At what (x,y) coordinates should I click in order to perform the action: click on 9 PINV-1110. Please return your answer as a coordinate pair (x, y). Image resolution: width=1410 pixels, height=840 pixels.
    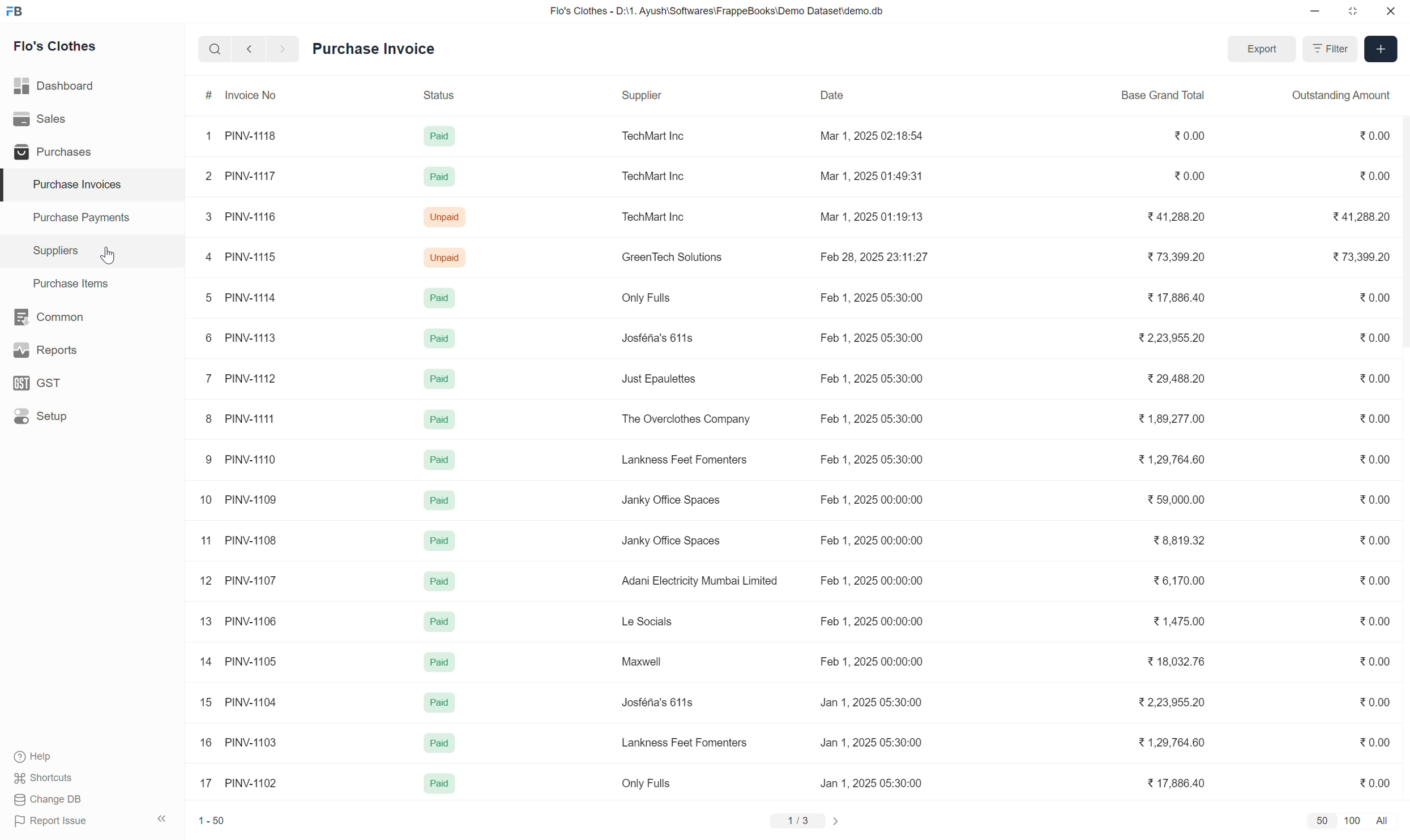
    Looking at the image, I should click on (250, 458).